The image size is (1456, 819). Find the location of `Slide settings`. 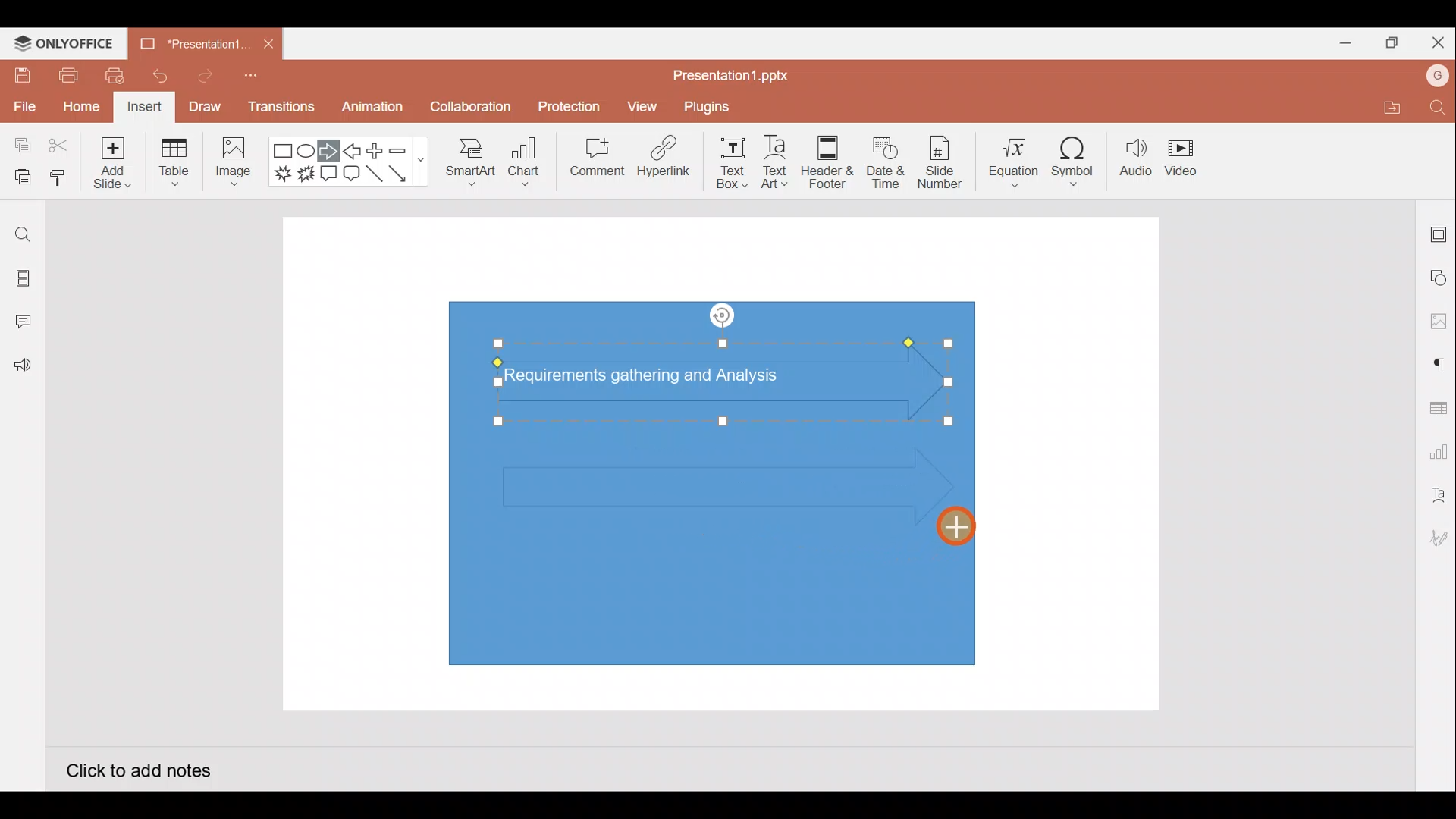

Slide settings is located at coordinates (1439, 231).